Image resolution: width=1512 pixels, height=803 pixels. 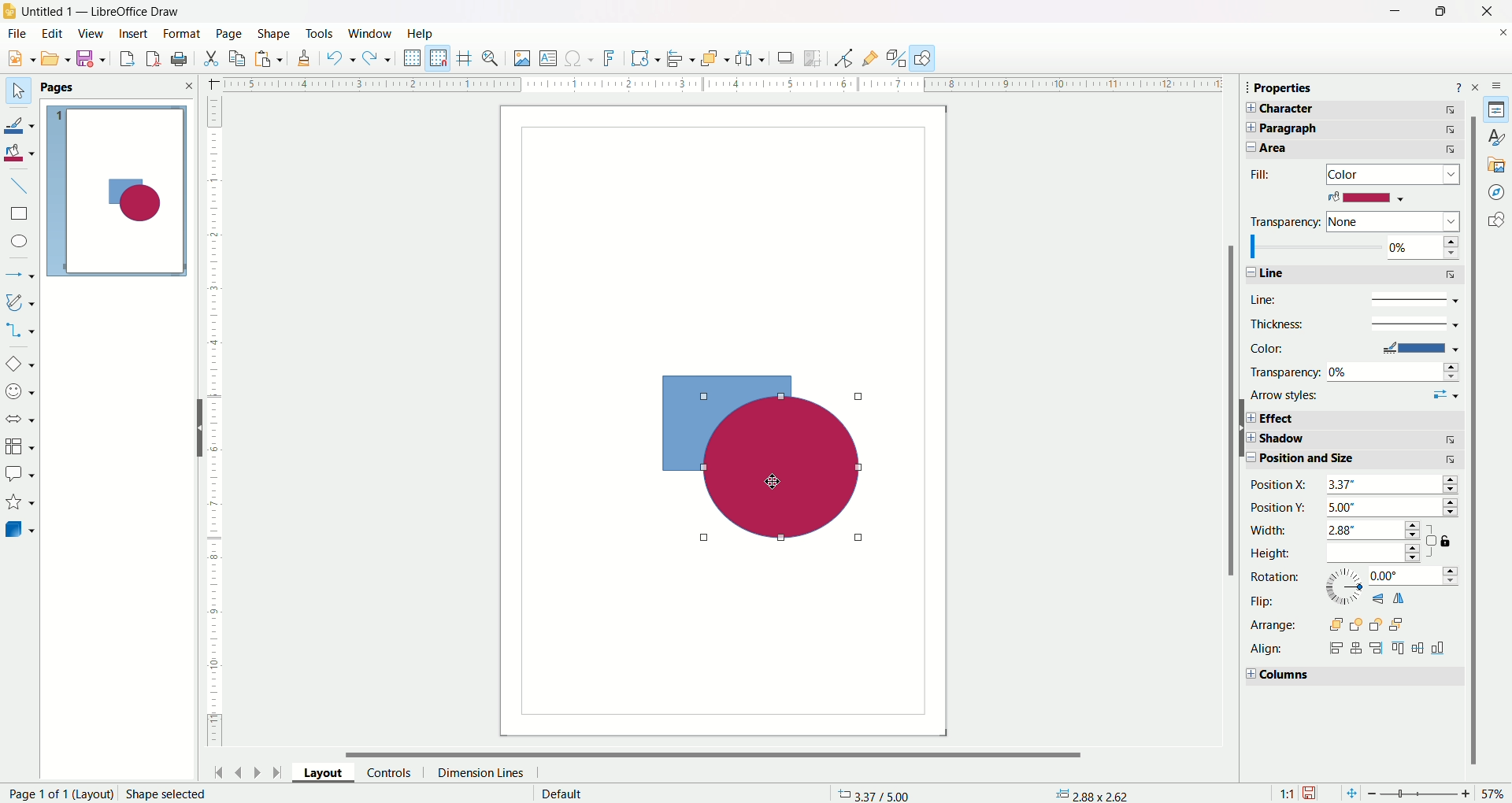 What do you see at coordinates (217, 772) in the screenshot?
I see `to first page` at bounding box center [217, 772].